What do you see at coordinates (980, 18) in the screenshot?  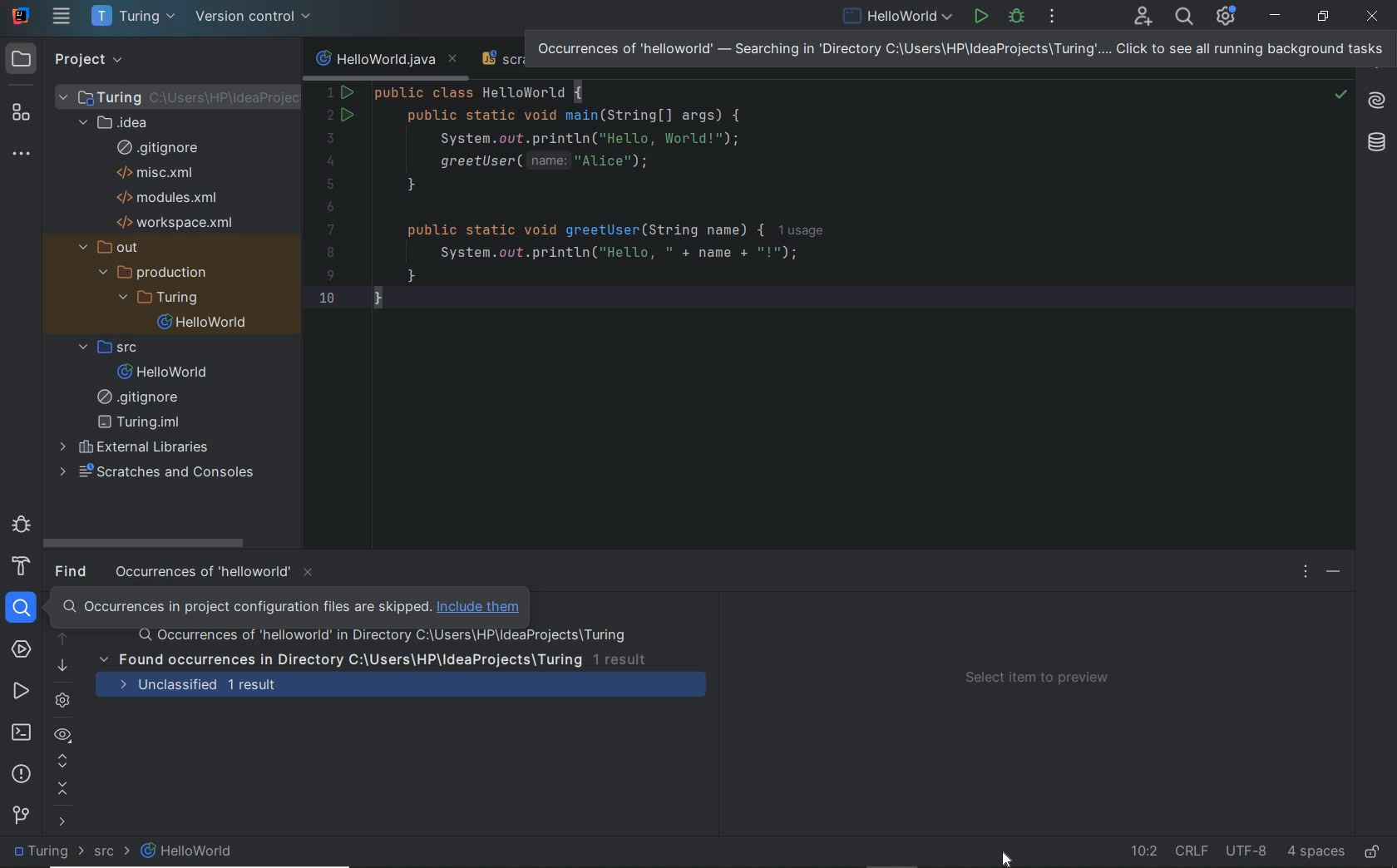 I see `run` at bounding box center [980, 18].